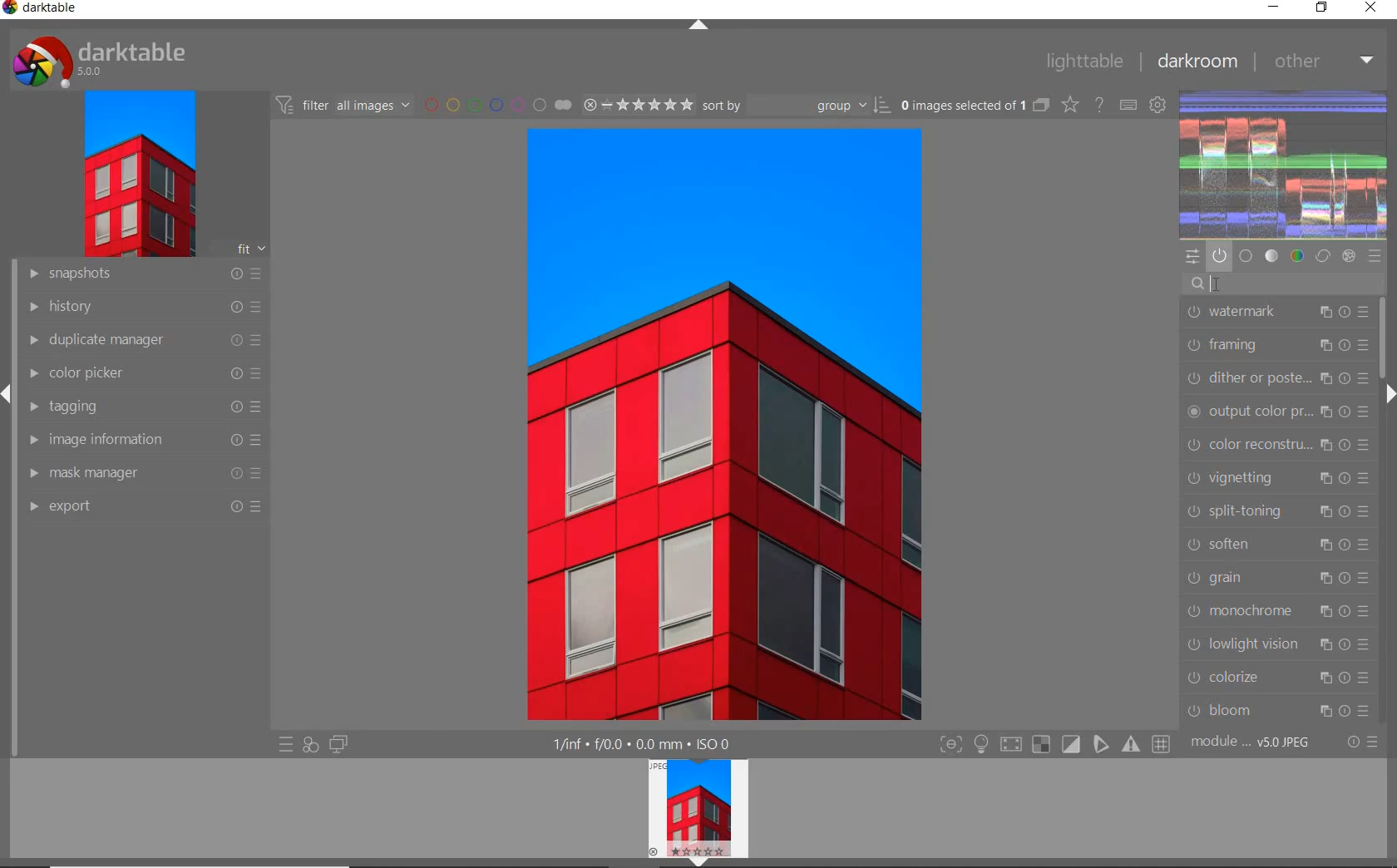  I want to click on focus mask, so click(1128, 745).